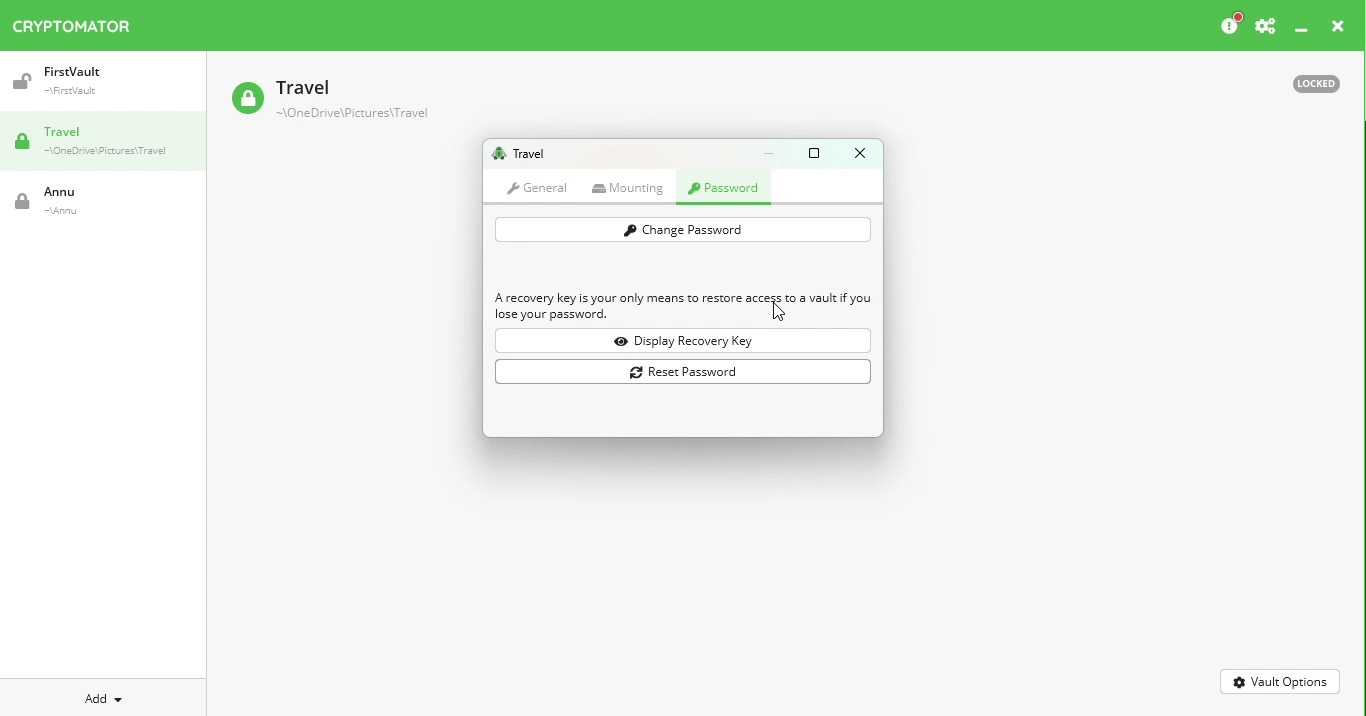  I want to click on Travel, so click(518, 154).